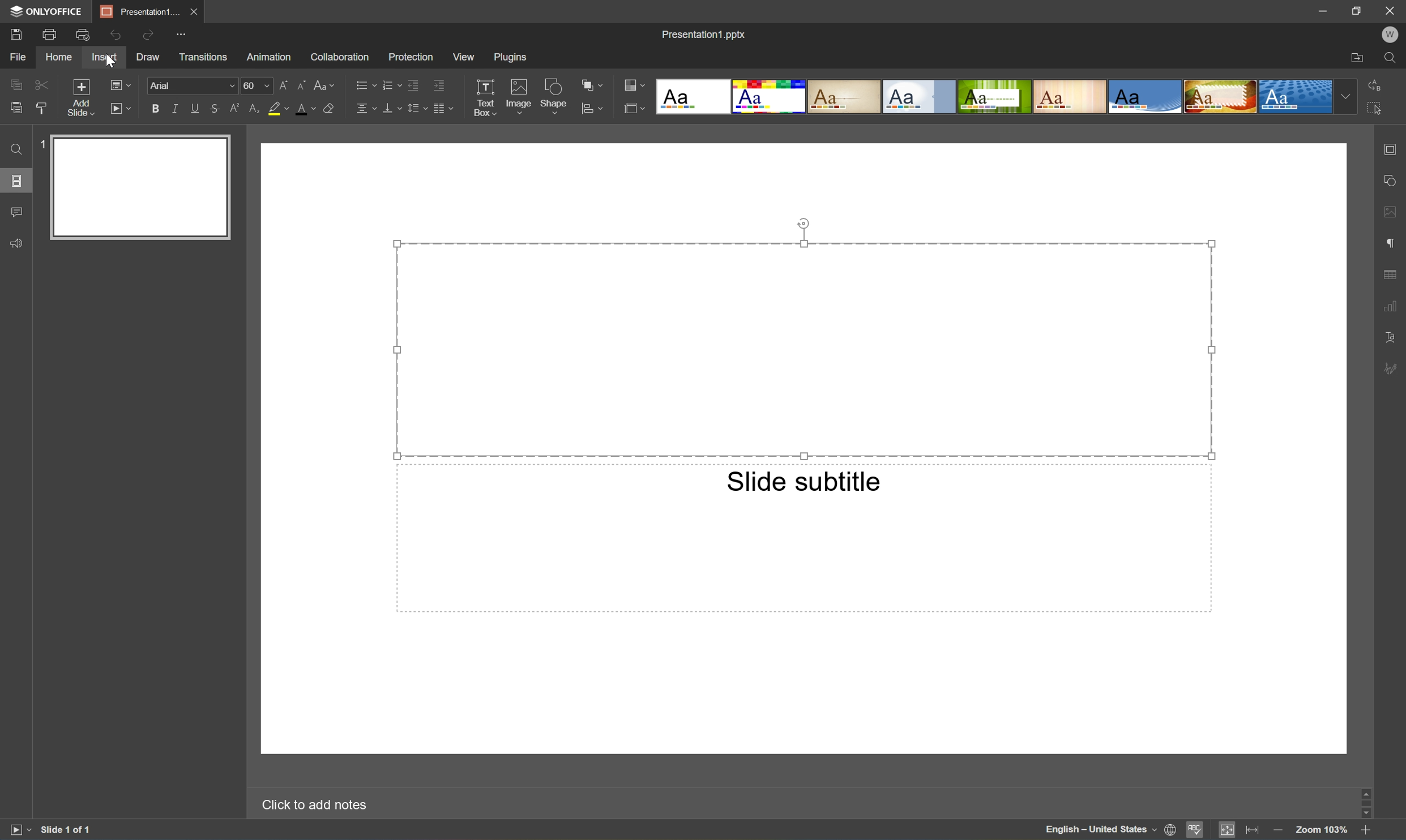  I want to click on Text Art settings, so click(1390, 335).